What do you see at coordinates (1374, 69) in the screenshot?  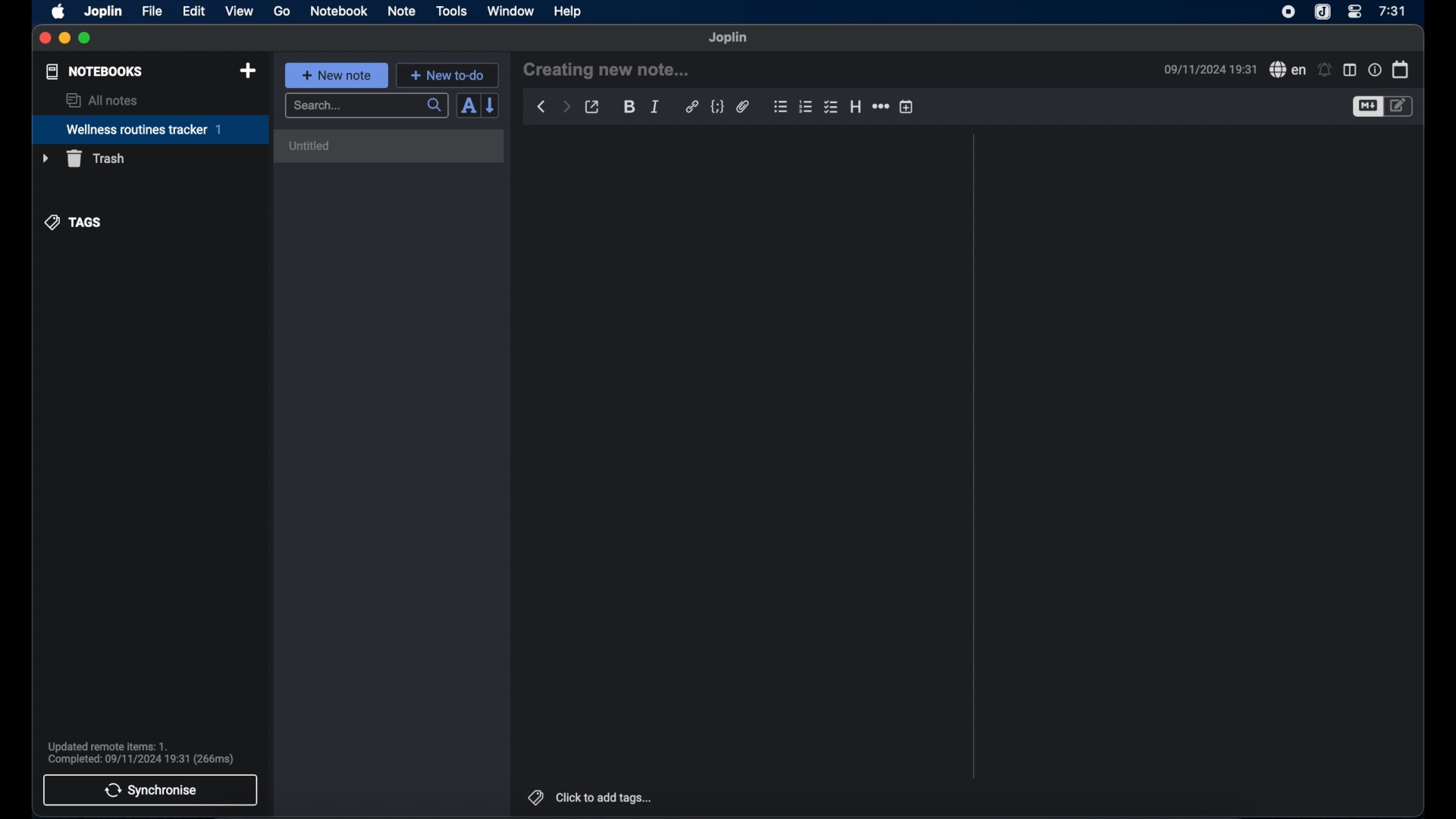 I see `note properties` at bounding box center [1374, 69].